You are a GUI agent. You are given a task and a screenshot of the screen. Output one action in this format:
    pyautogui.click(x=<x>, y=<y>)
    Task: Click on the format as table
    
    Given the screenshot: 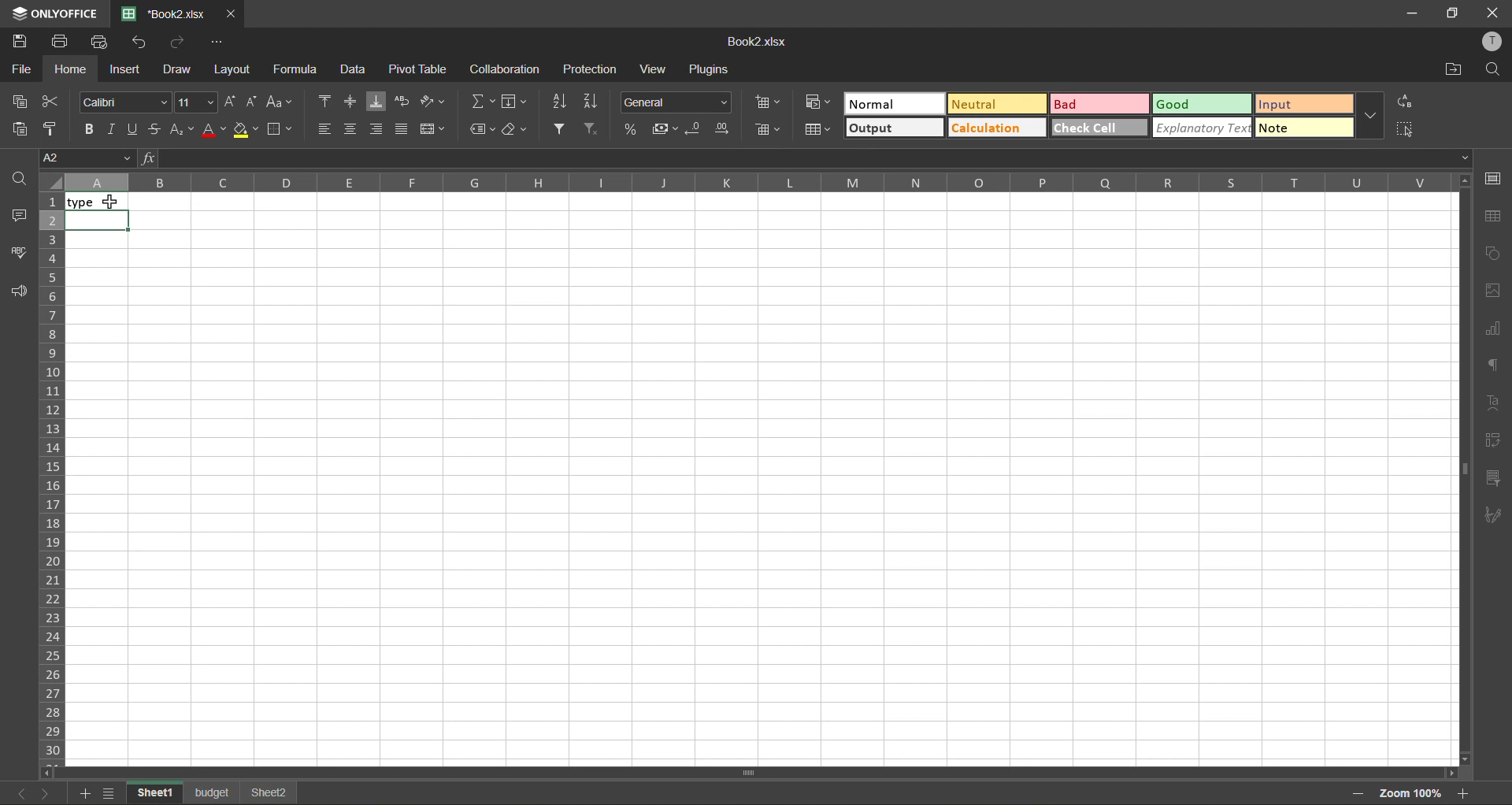 What is the action you would take?
    pyautogui.click(x=817, y=131)
    